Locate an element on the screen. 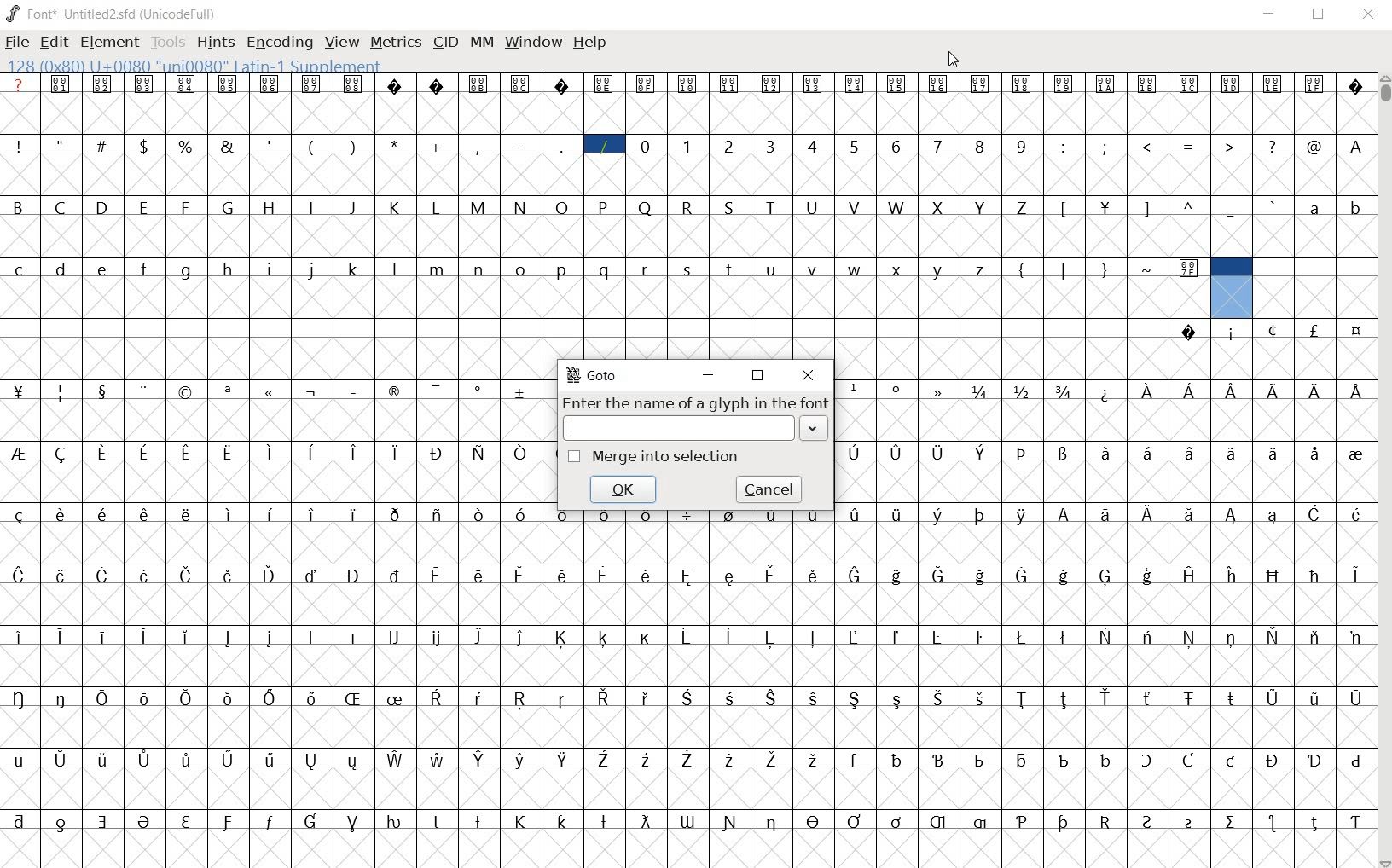  Symbol is located at coordinates (774, 758).